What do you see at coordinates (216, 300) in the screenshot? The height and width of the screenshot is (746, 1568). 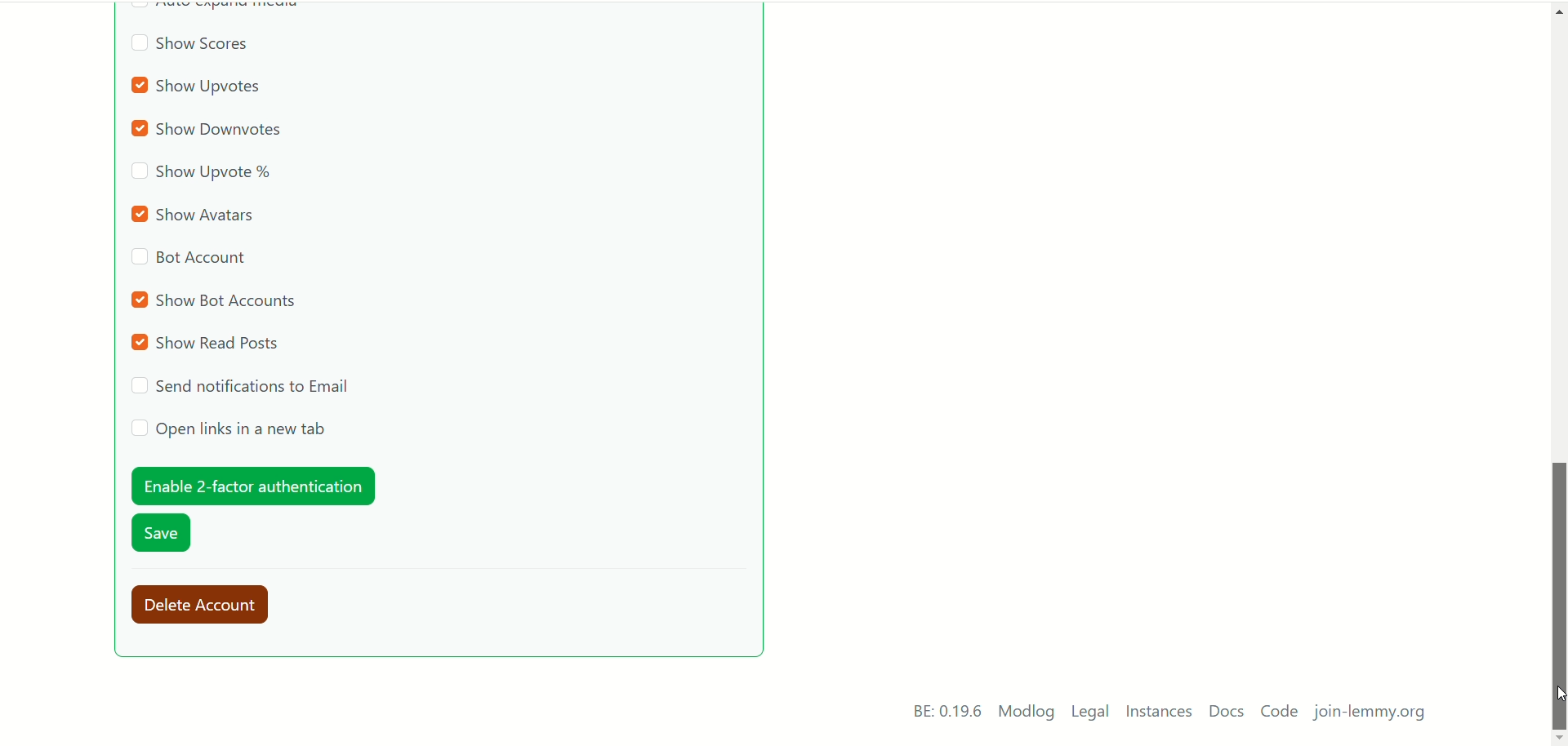 I see `show bot accounts` at bounding box center [216, 300].